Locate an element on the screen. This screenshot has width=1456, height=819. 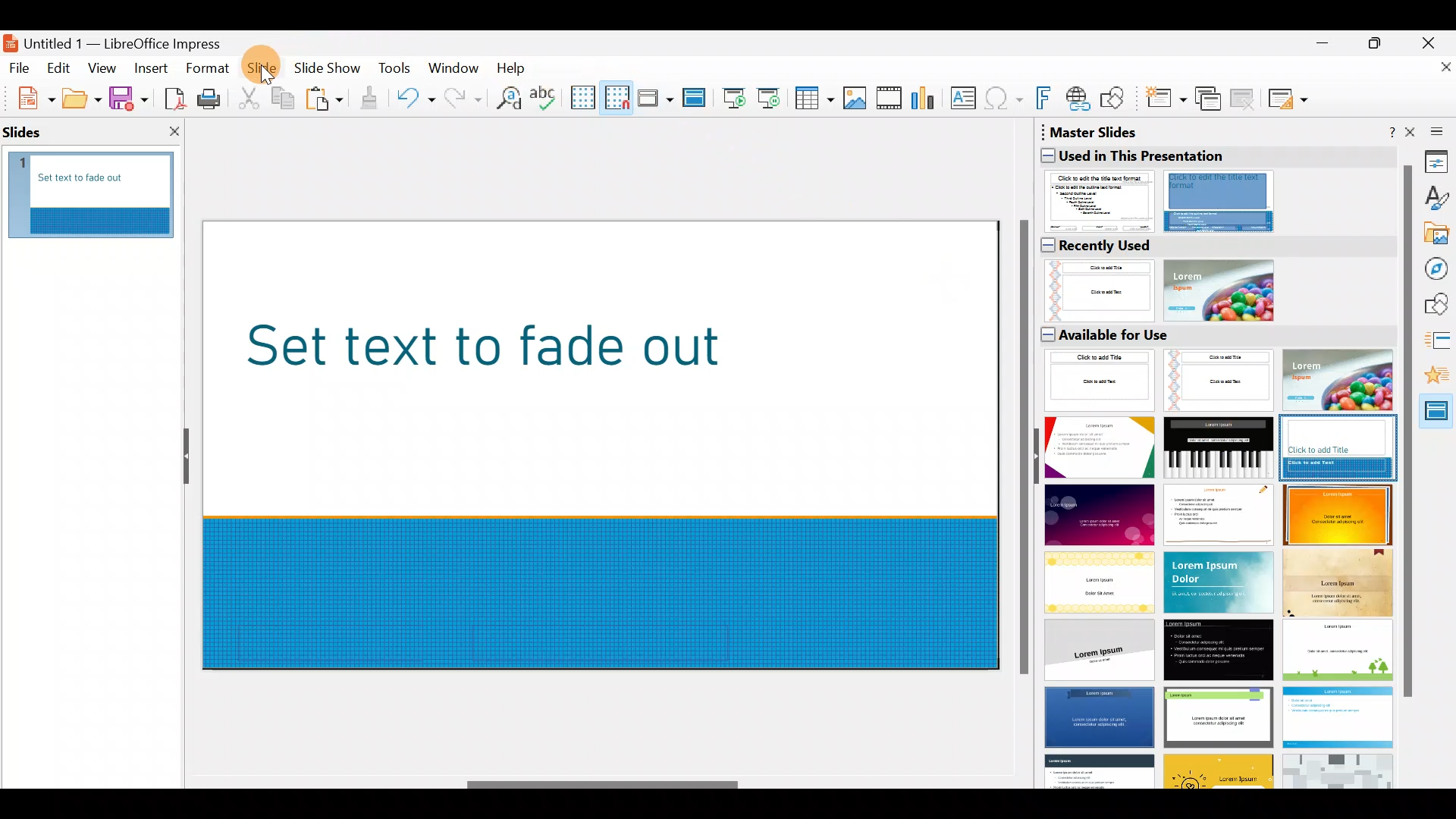
Sidebar settings is located at coordinates (1434, 130).